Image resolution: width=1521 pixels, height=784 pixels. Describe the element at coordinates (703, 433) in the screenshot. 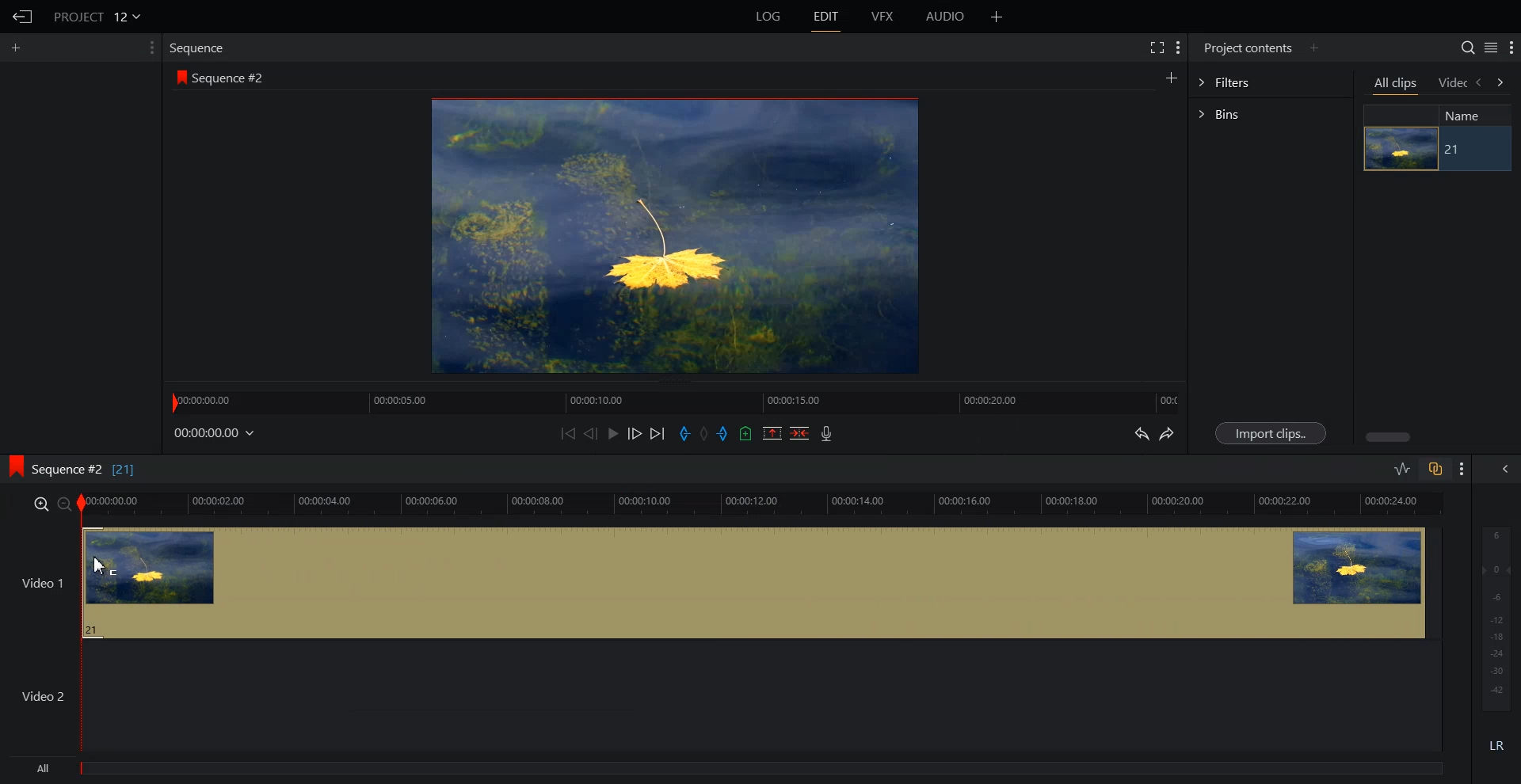

I see `Clear All Marks` at that location.